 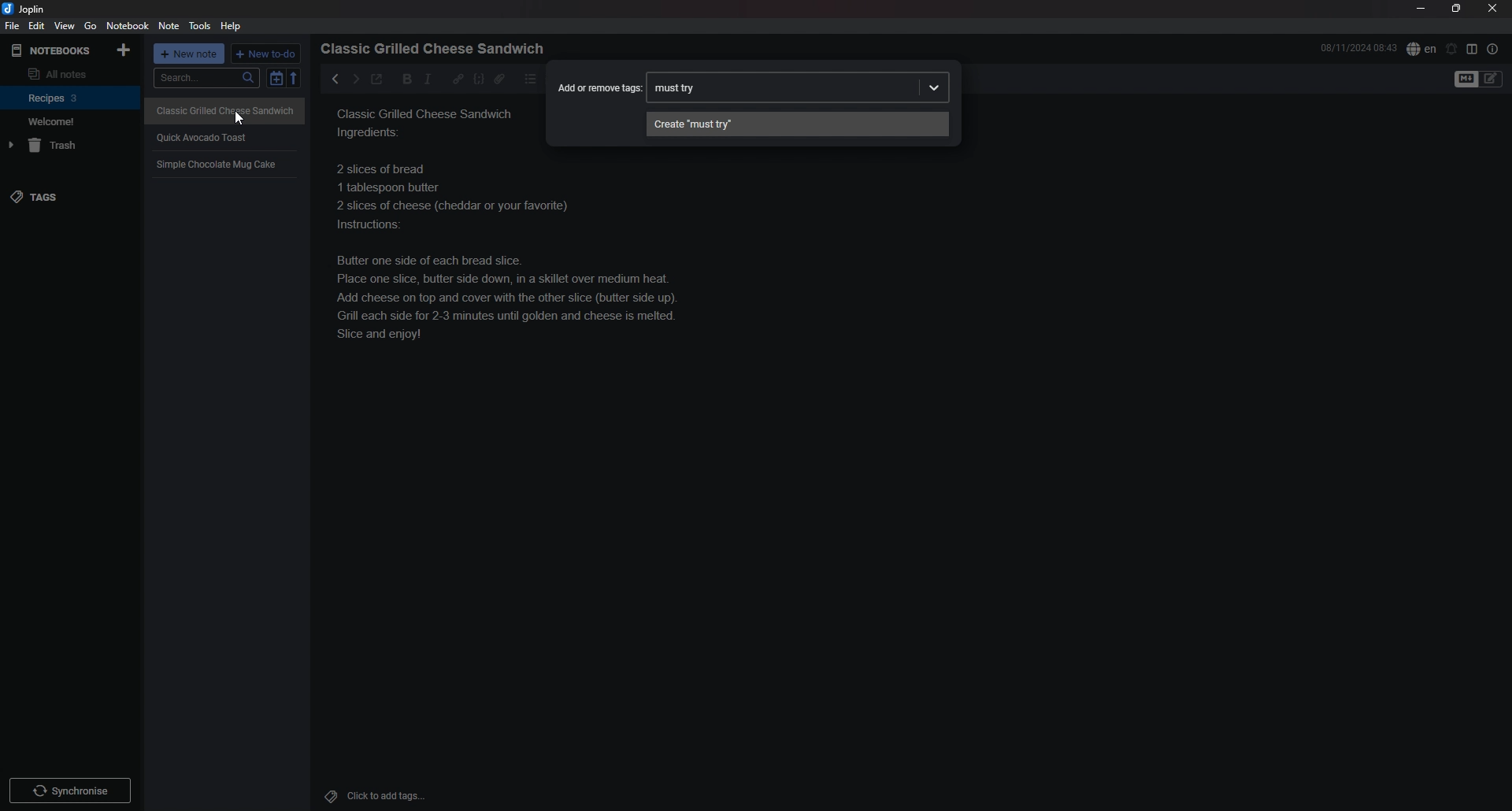 I want to click on view, so click(x=64, y=26).